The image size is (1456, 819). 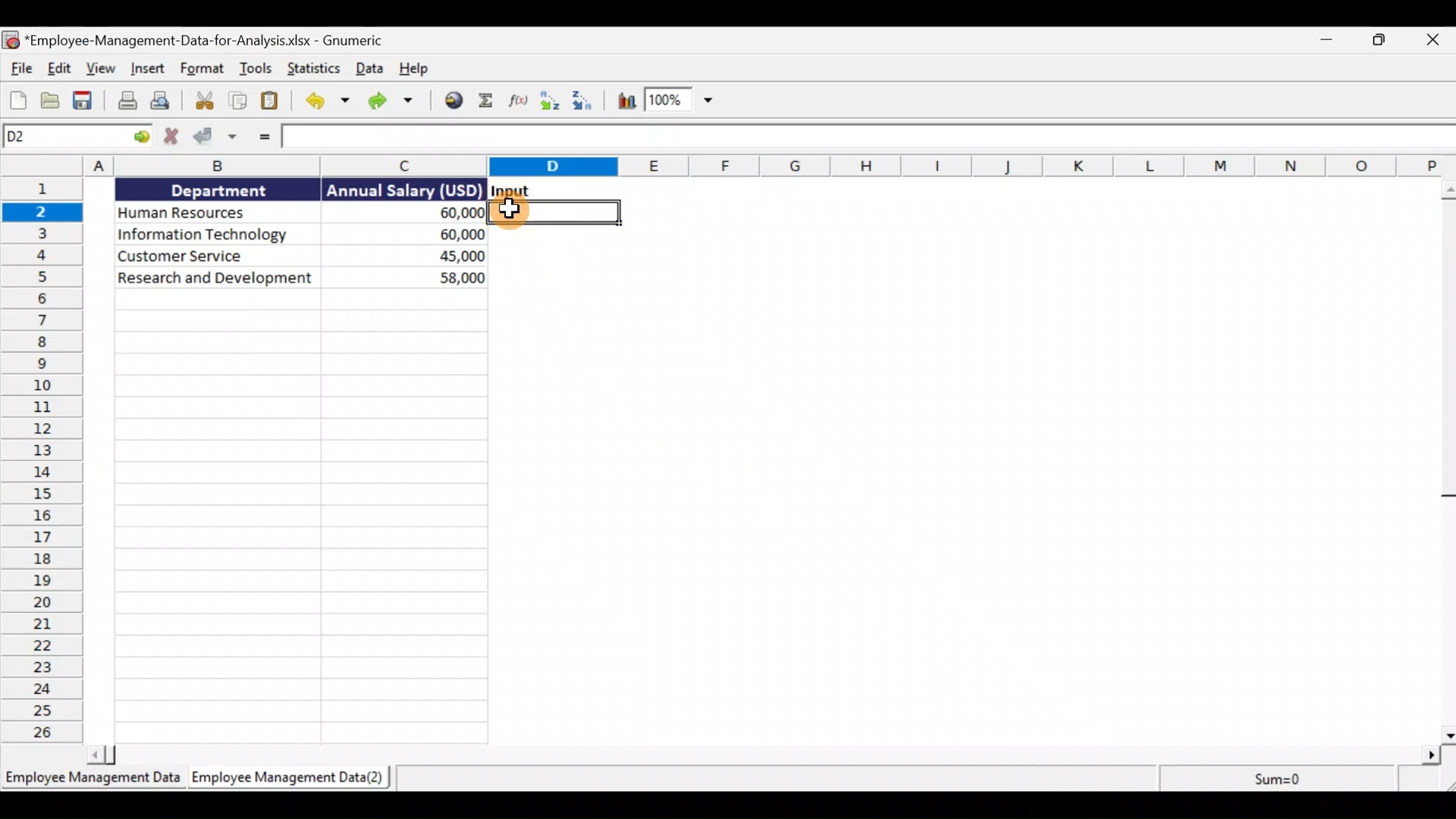 I want to click on scroll bar, so click(x=765, y=756).